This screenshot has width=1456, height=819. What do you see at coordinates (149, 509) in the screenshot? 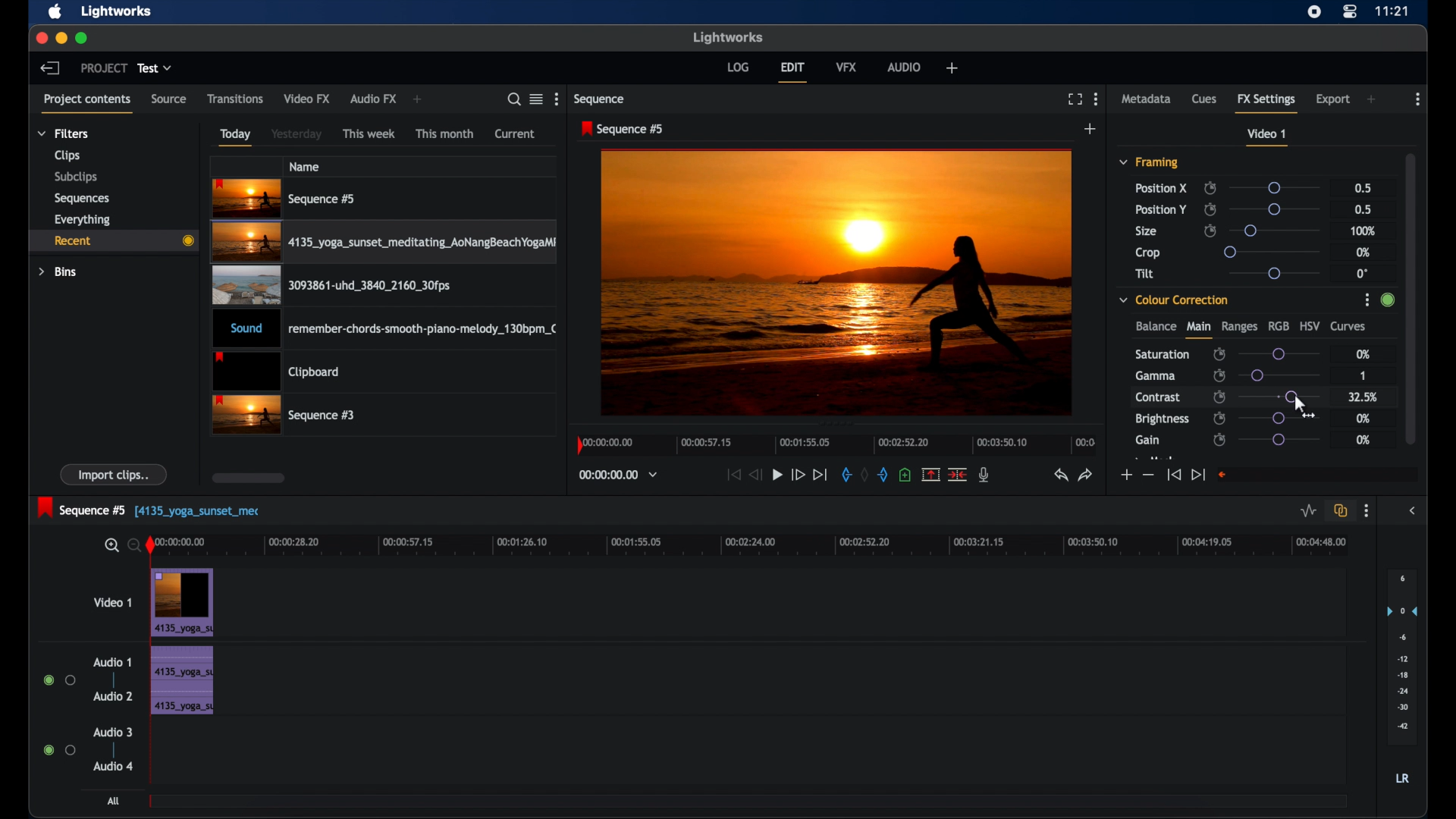
I see `sequence 5` at bounding box center [149, 509].